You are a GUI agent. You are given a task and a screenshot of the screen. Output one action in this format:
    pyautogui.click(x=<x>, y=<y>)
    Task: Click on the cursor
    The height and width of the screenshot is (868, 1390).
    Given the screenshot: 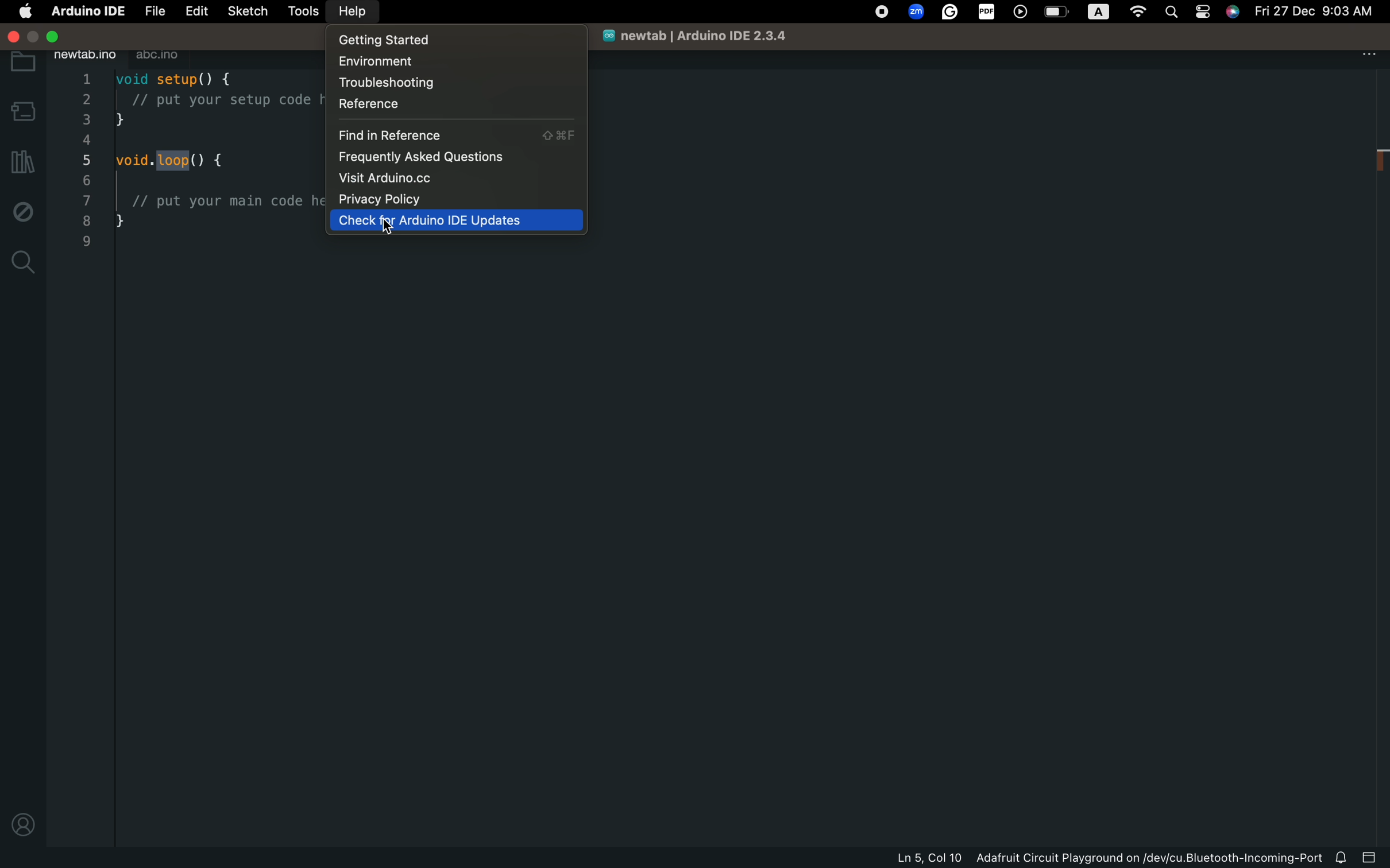 What is the action you would take?
    pyautogui.click(x=389, y=223)
    